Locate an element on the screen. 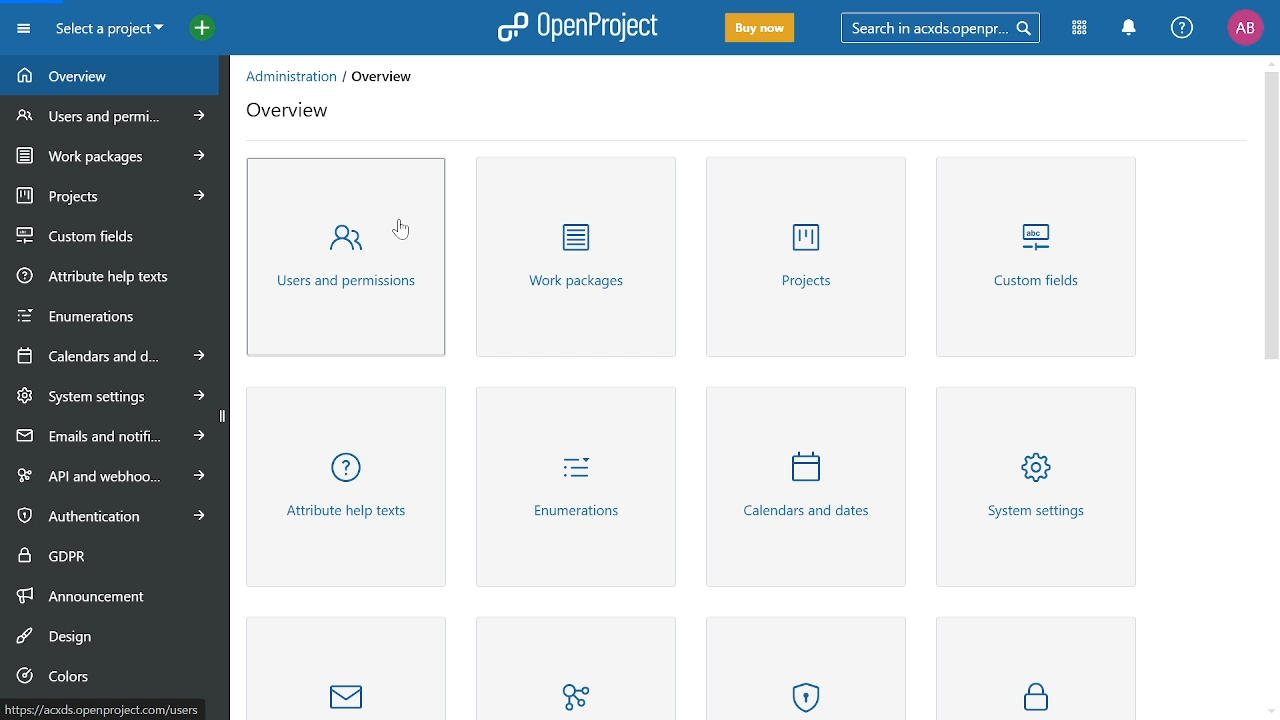 Image resolution: width=1280 pixels, height=720 pixels. Emails and notifications is located at coordinates (114, 434).